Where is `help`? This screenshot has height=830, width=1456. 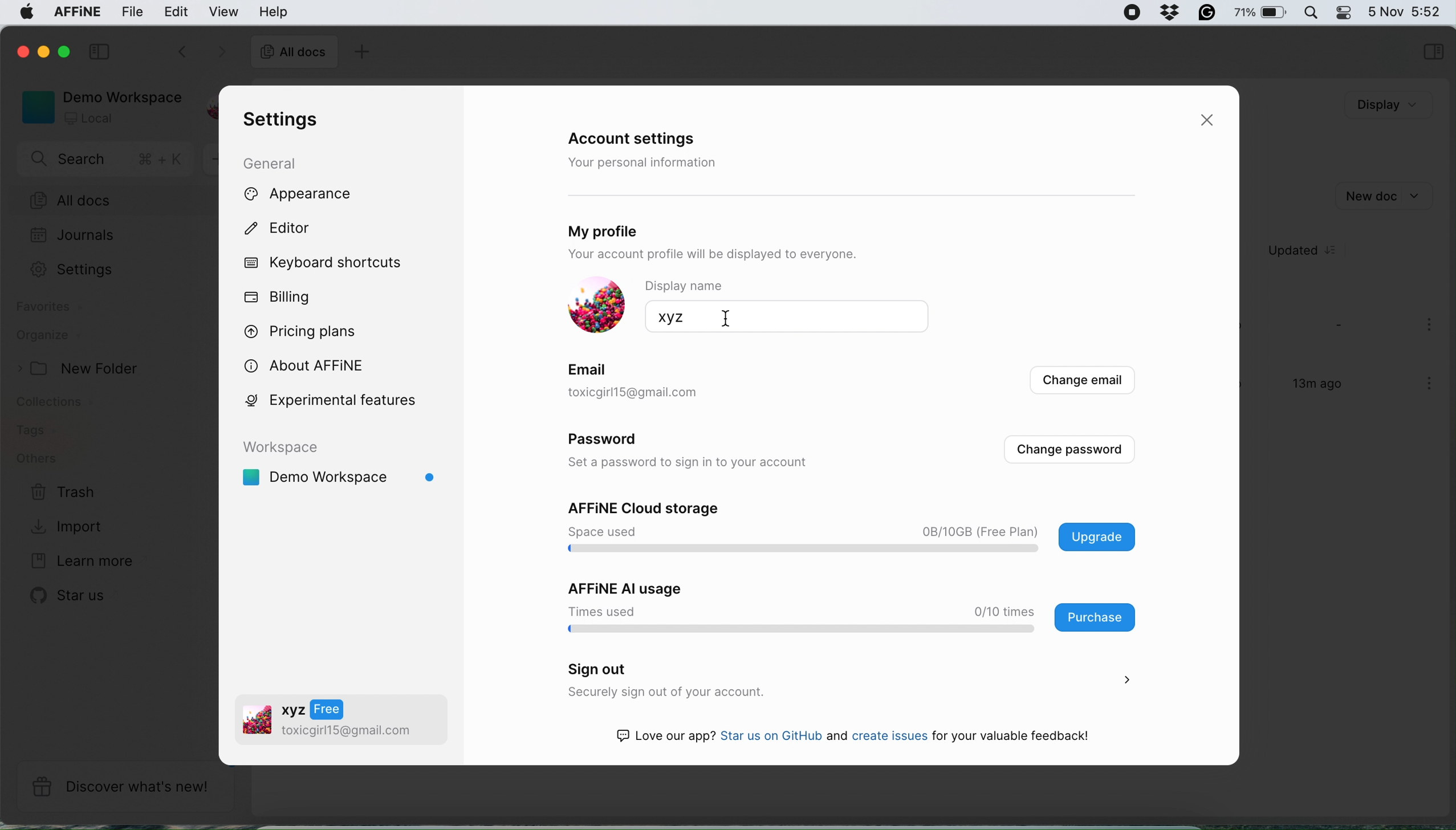
help is located at coordinates (273, 11).